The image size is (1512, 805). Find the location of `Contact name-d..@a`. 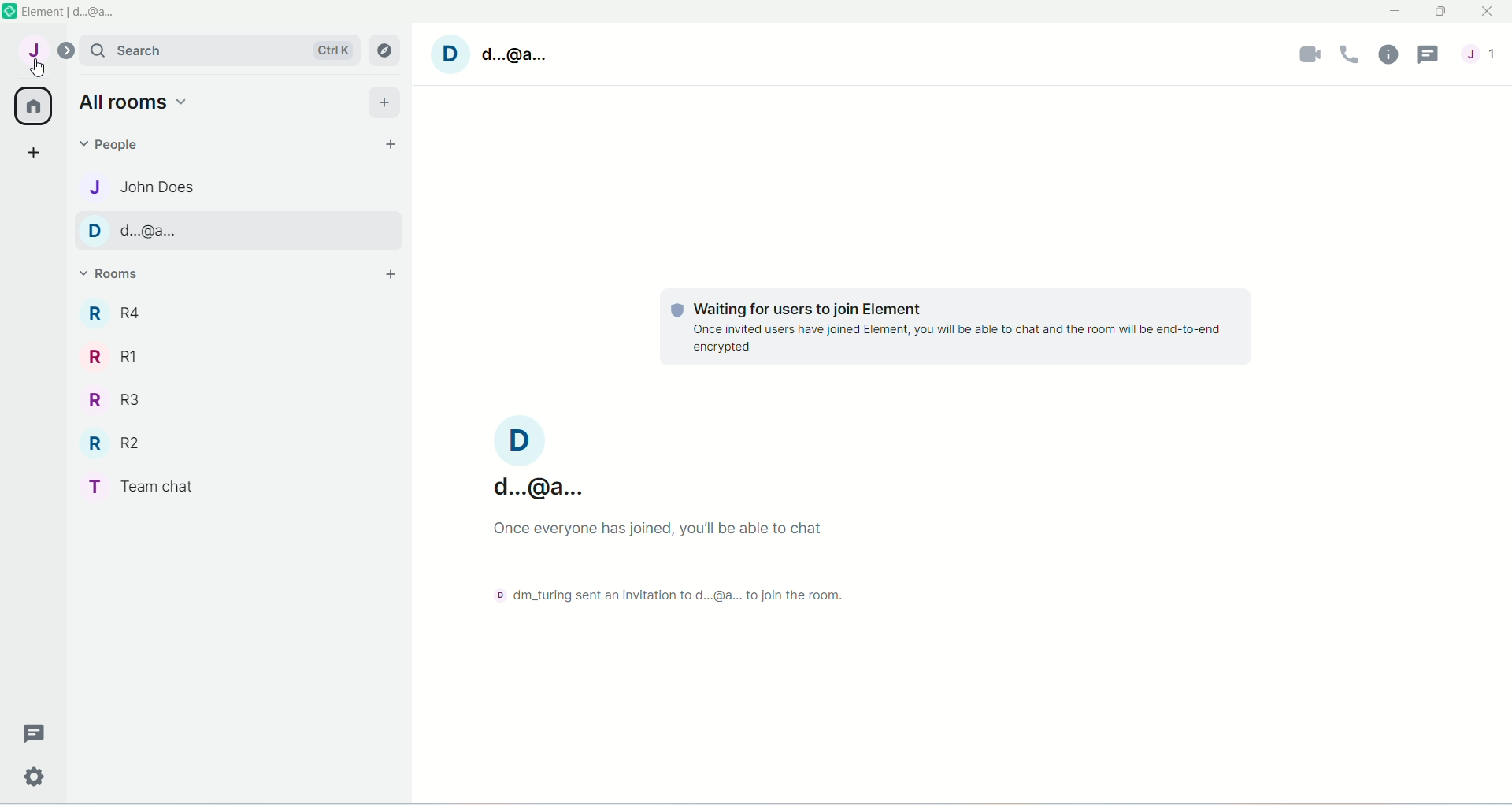

Contact name-d..@a is located at coordinates (143, 232).